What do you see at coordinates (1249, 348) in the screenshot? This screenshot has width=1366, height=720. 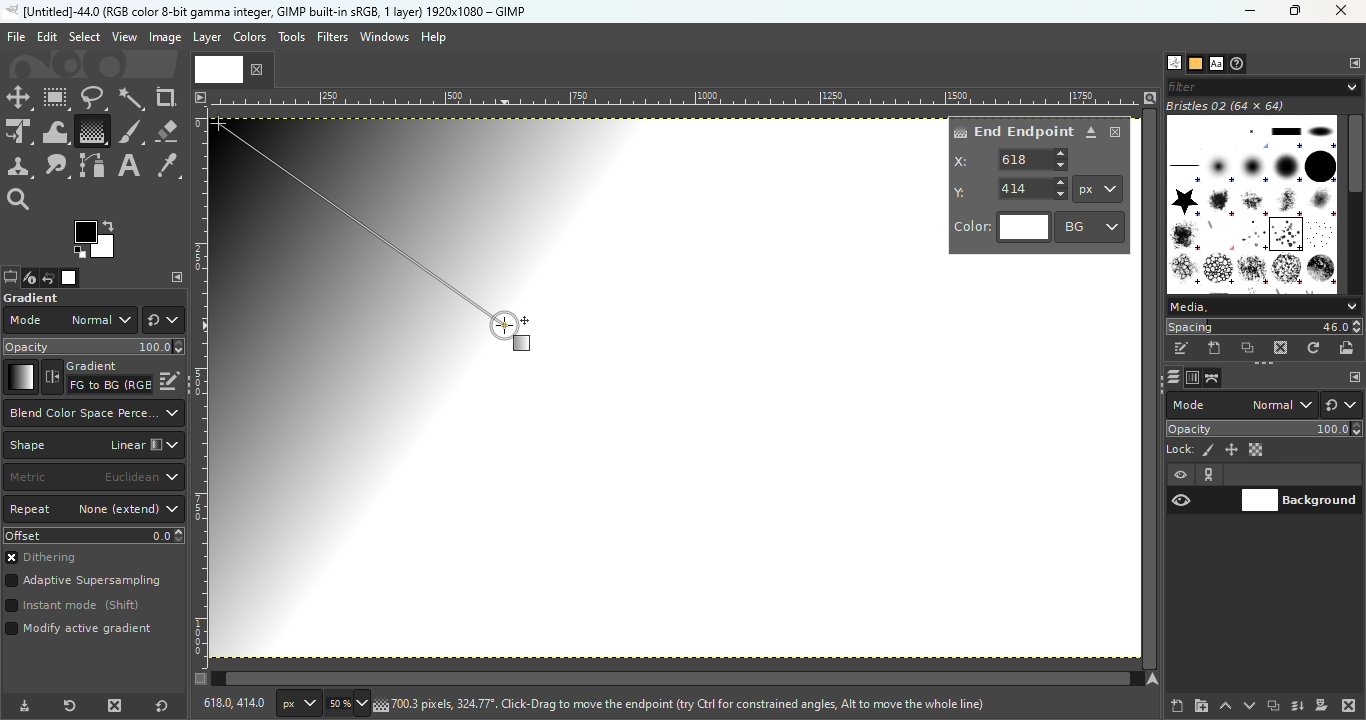 I see `Duplicate this brush` at bounding box center [1249, 348].